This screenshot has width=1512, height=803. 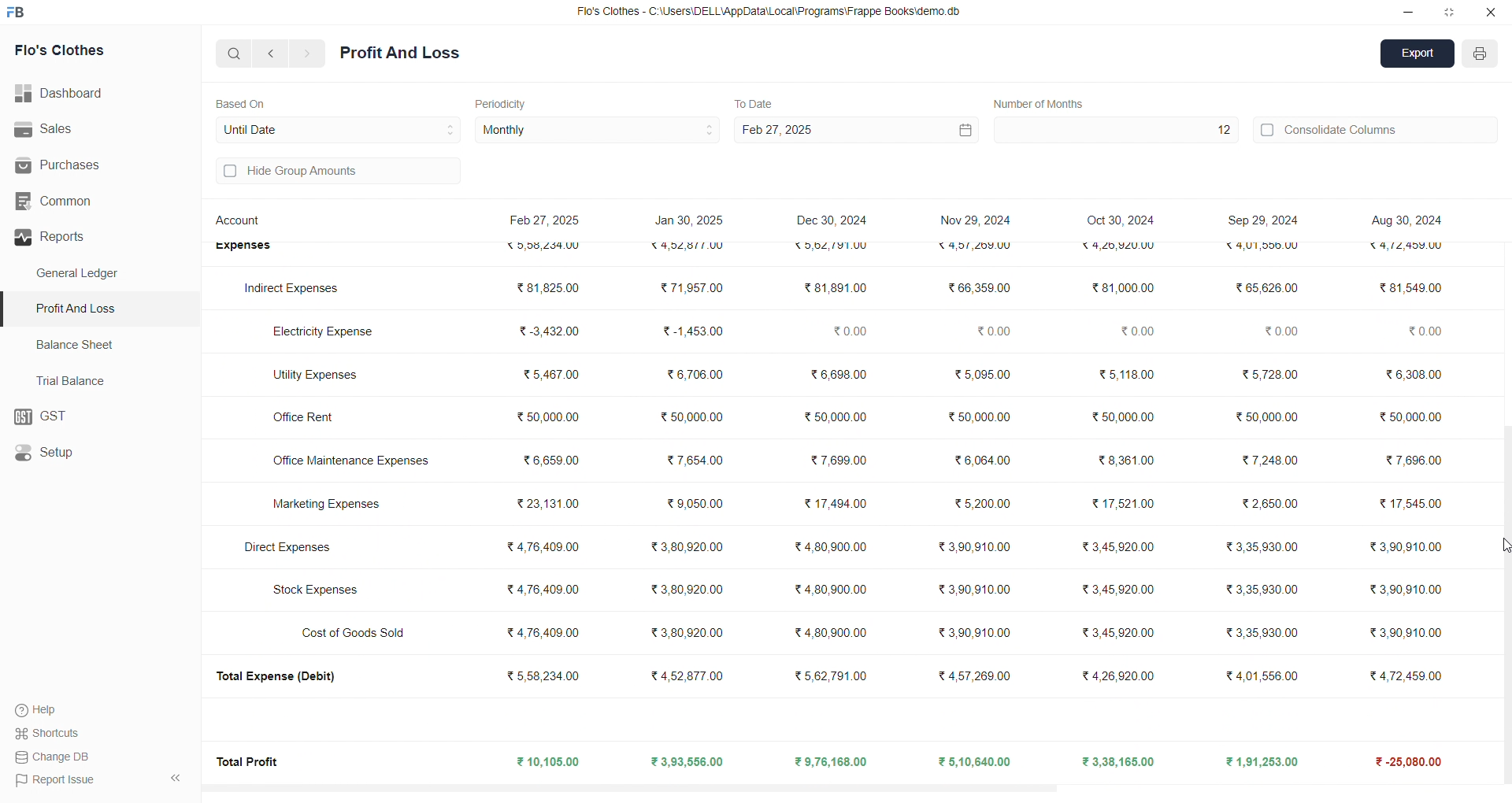 I want to click on ₹81,000.00, so click(x=1115, y=288).